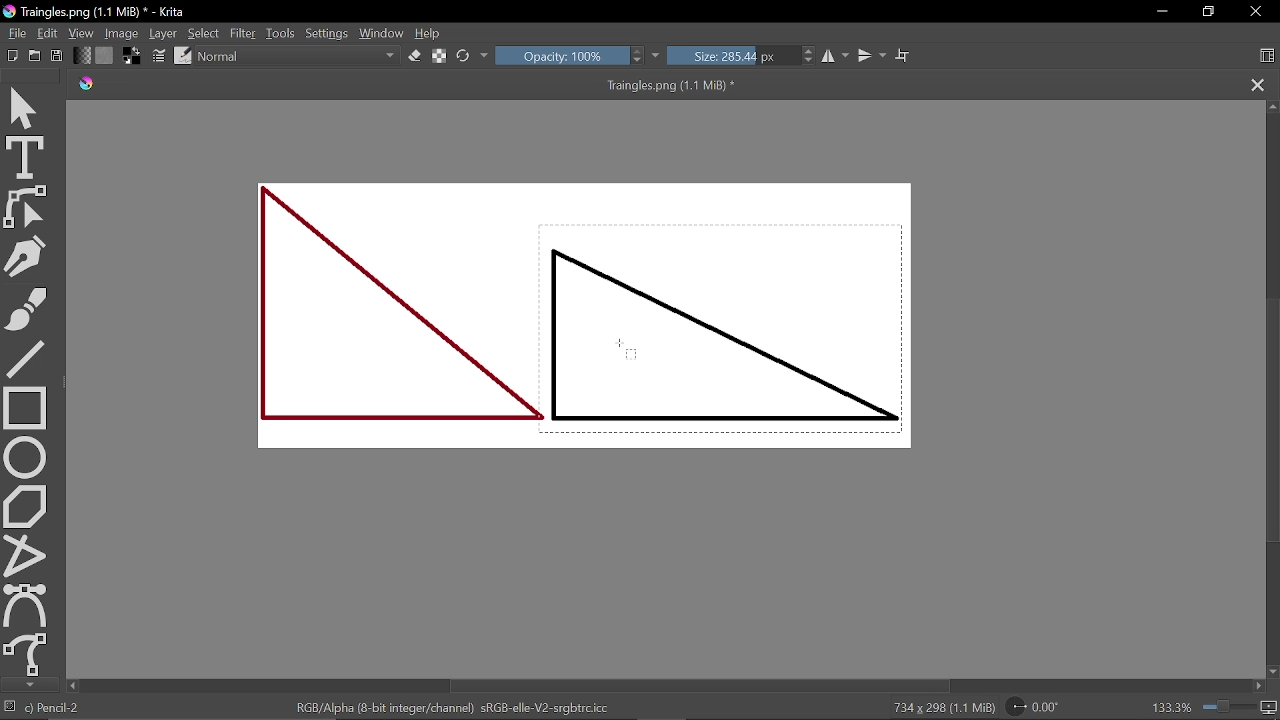 Image resolution: width=1280 pixels, height=720 pixels. Describe the element at coordinates (161, 57) in the screenshot. I see `Choose brush settings` at that location.